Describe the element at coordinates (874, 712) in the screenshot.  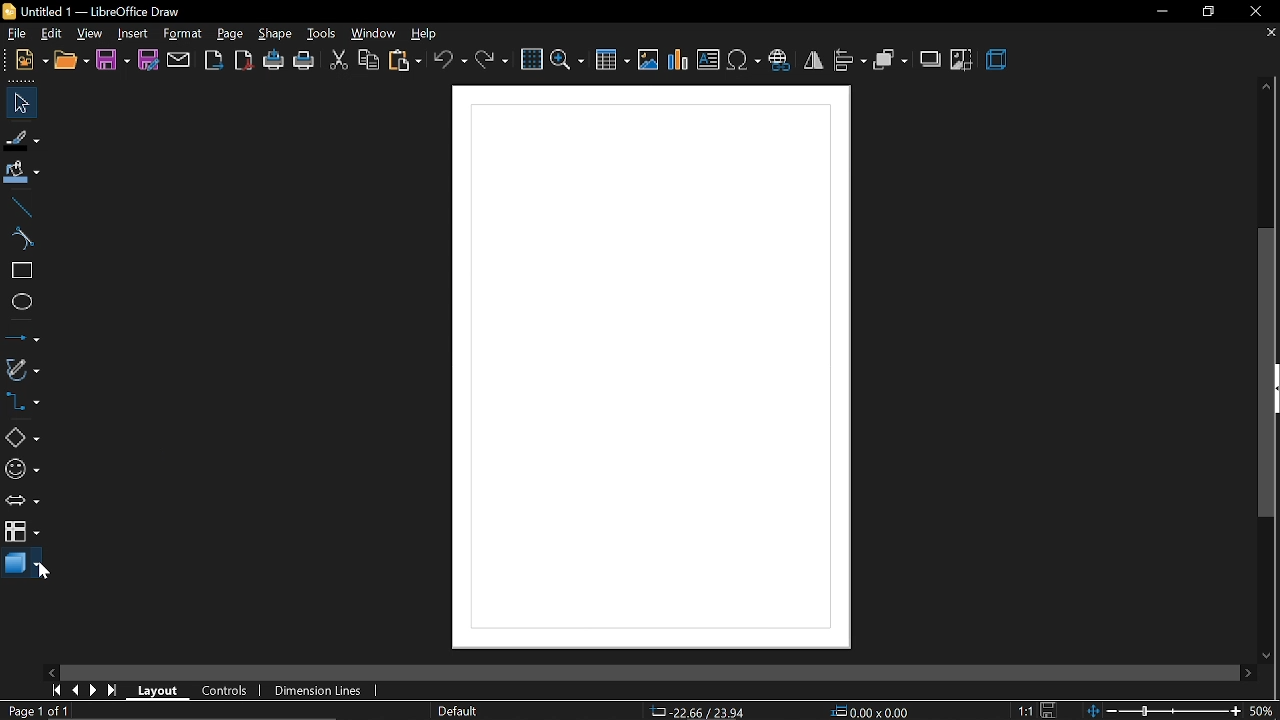
I see `0.00x0.00` at that location.